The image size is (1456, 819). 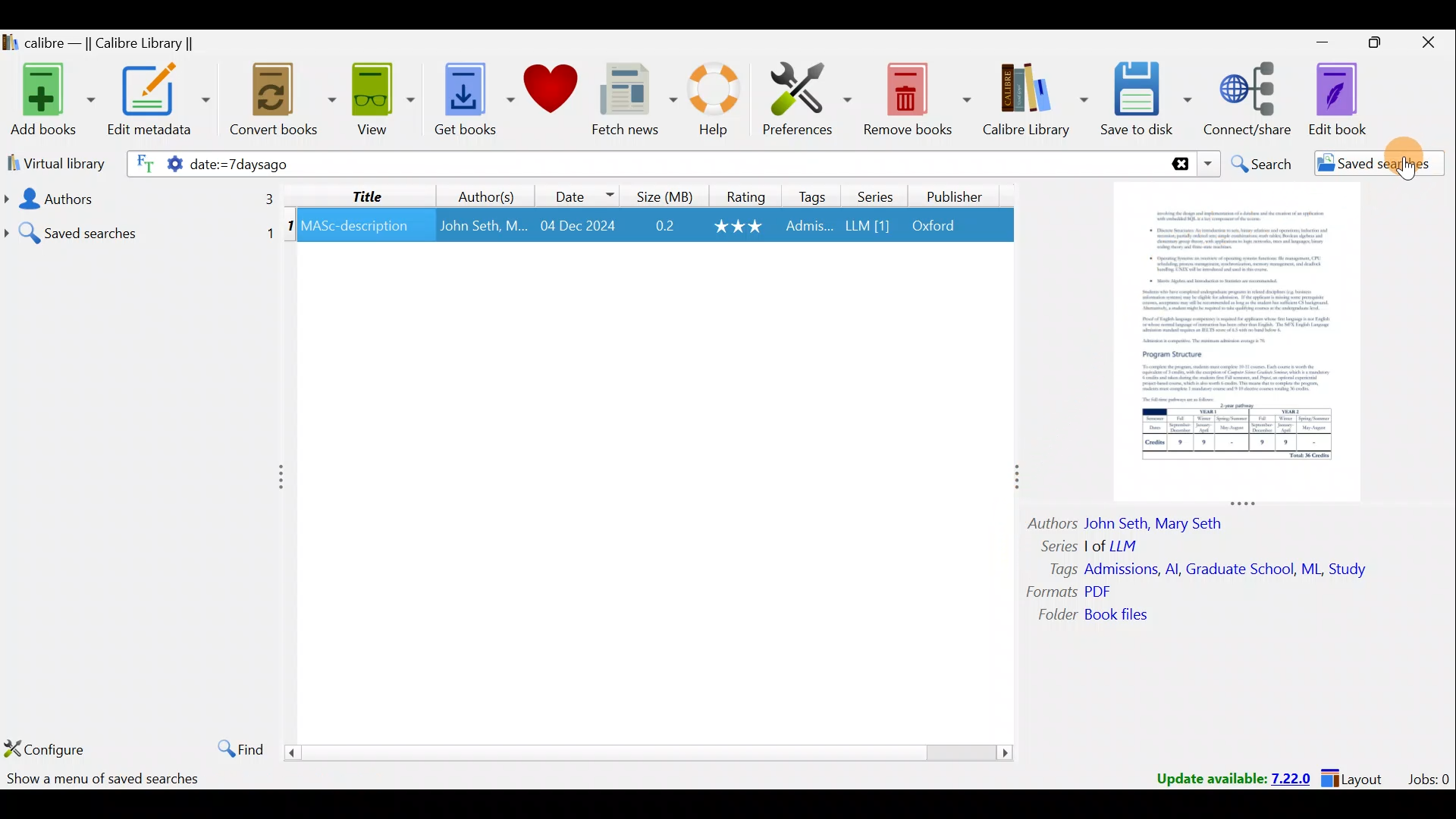 What do you see at coordinates (634, 100) in the screenshot?
I see `Fetch news` at bounding box center [634, 100].